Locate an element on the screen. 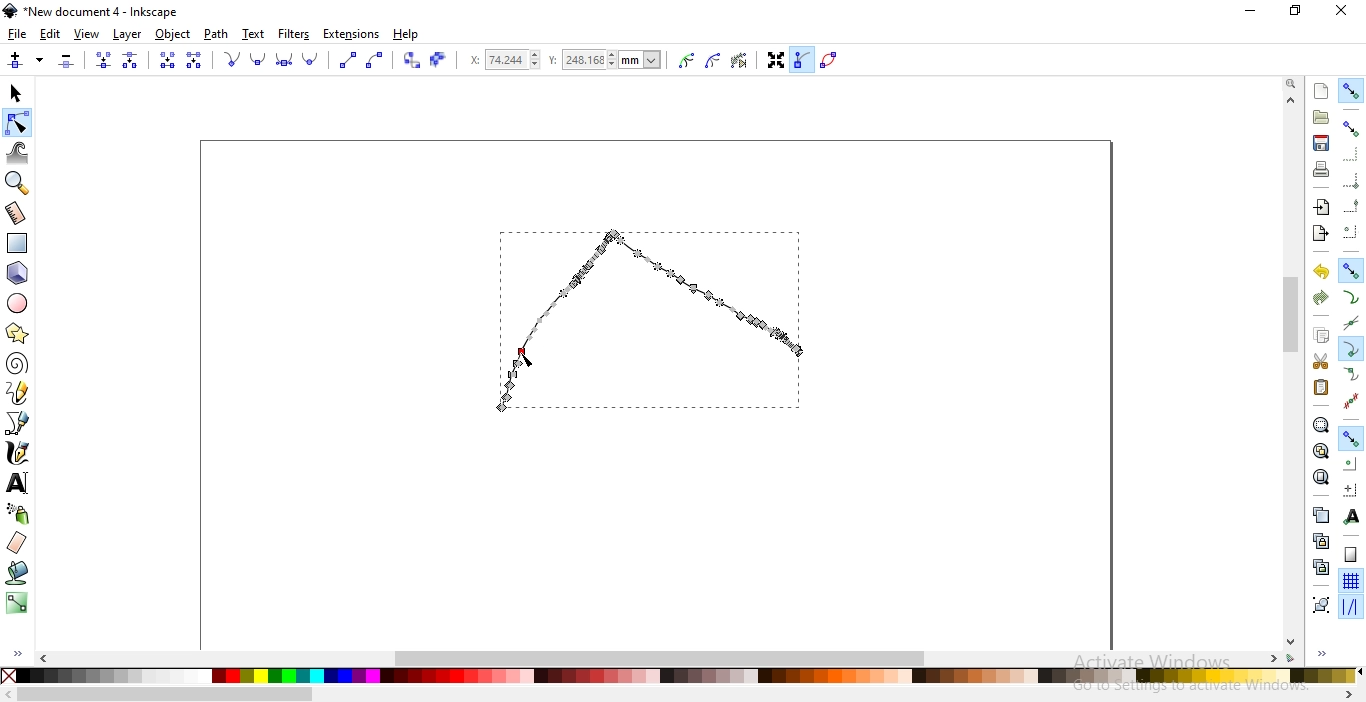 This screenshot has height=702, width=1366. join selected nodes is located at coordinates (103, 61).